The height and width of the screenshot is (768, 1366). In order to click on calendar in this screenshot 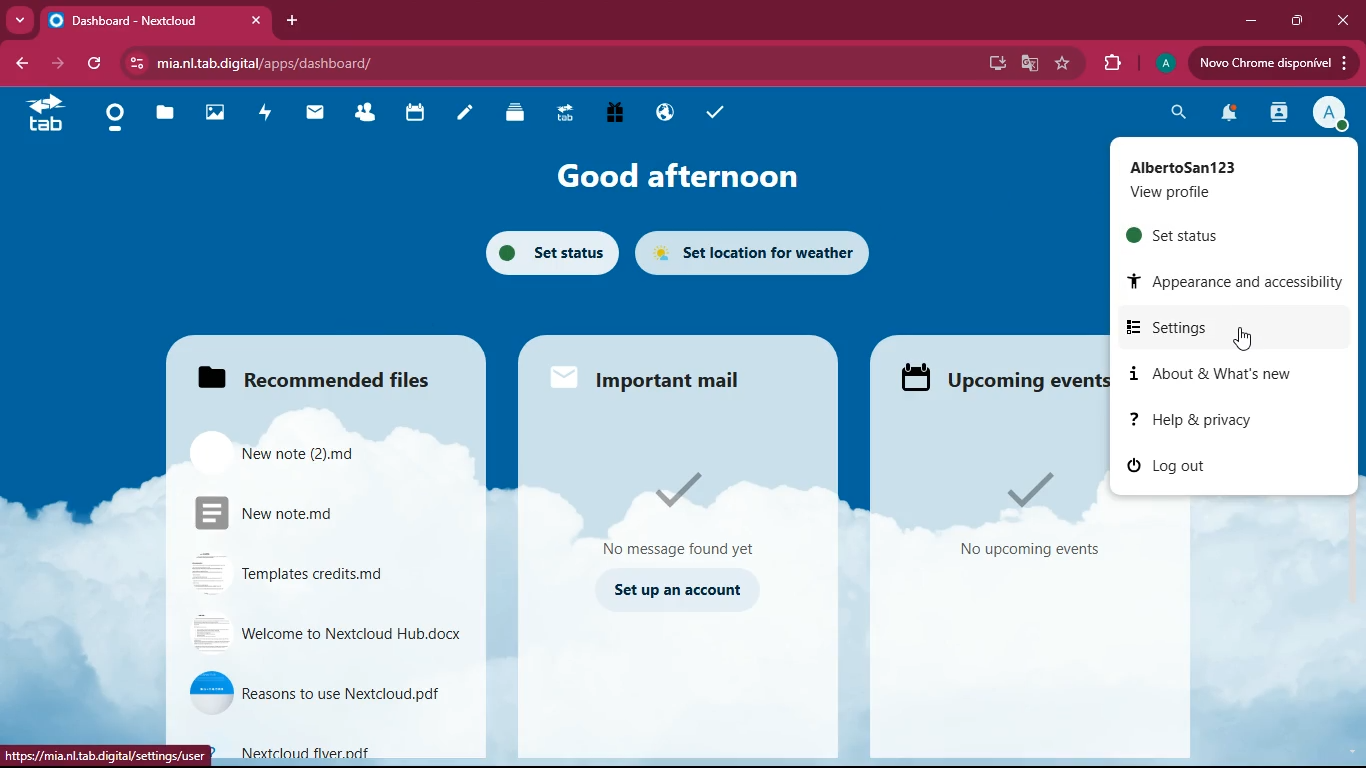, I will do `click(422, 115)`.